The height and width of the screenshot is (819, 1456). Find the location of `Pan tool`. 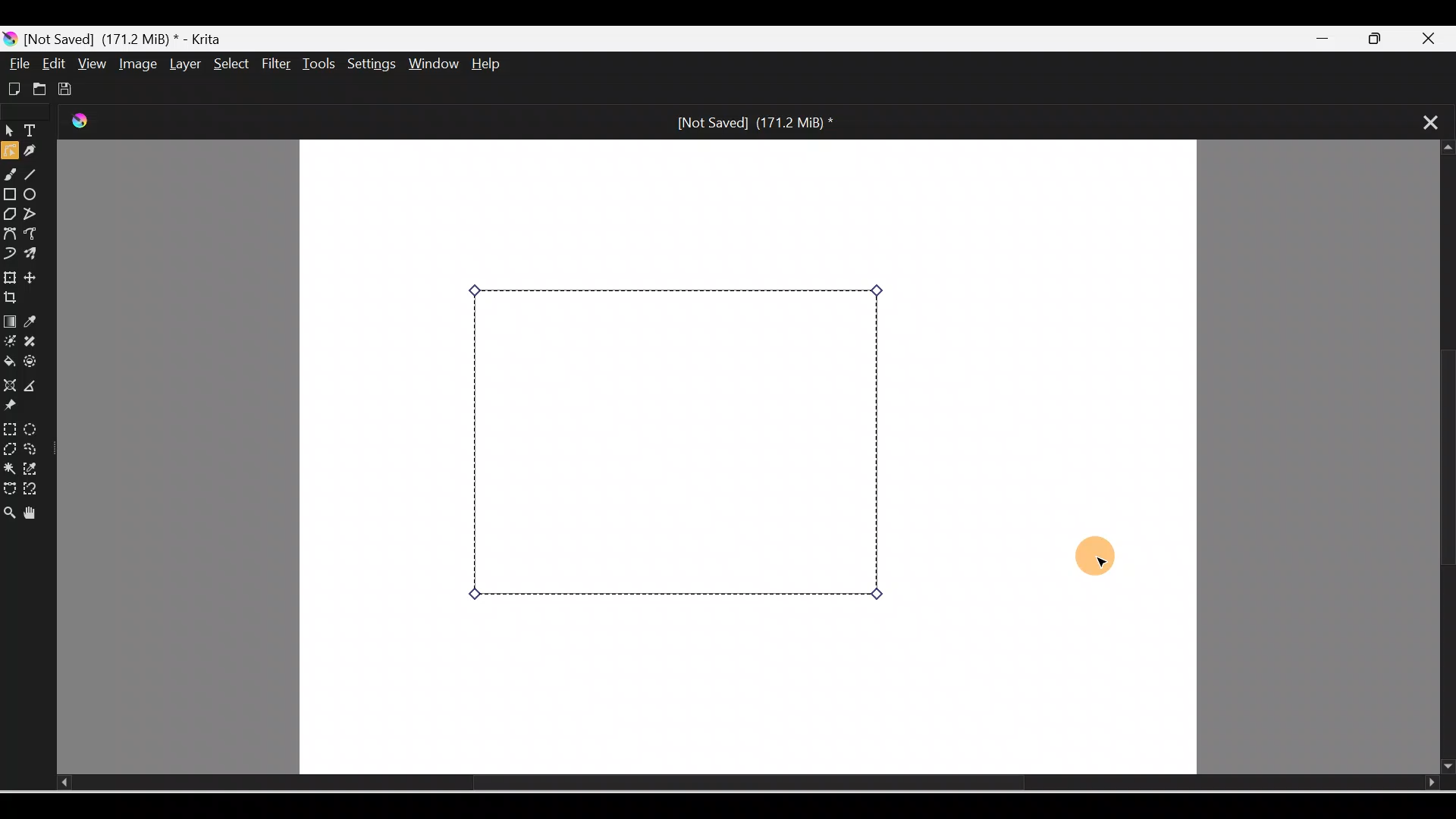

Pan tool is located at coordinates (33, 510).